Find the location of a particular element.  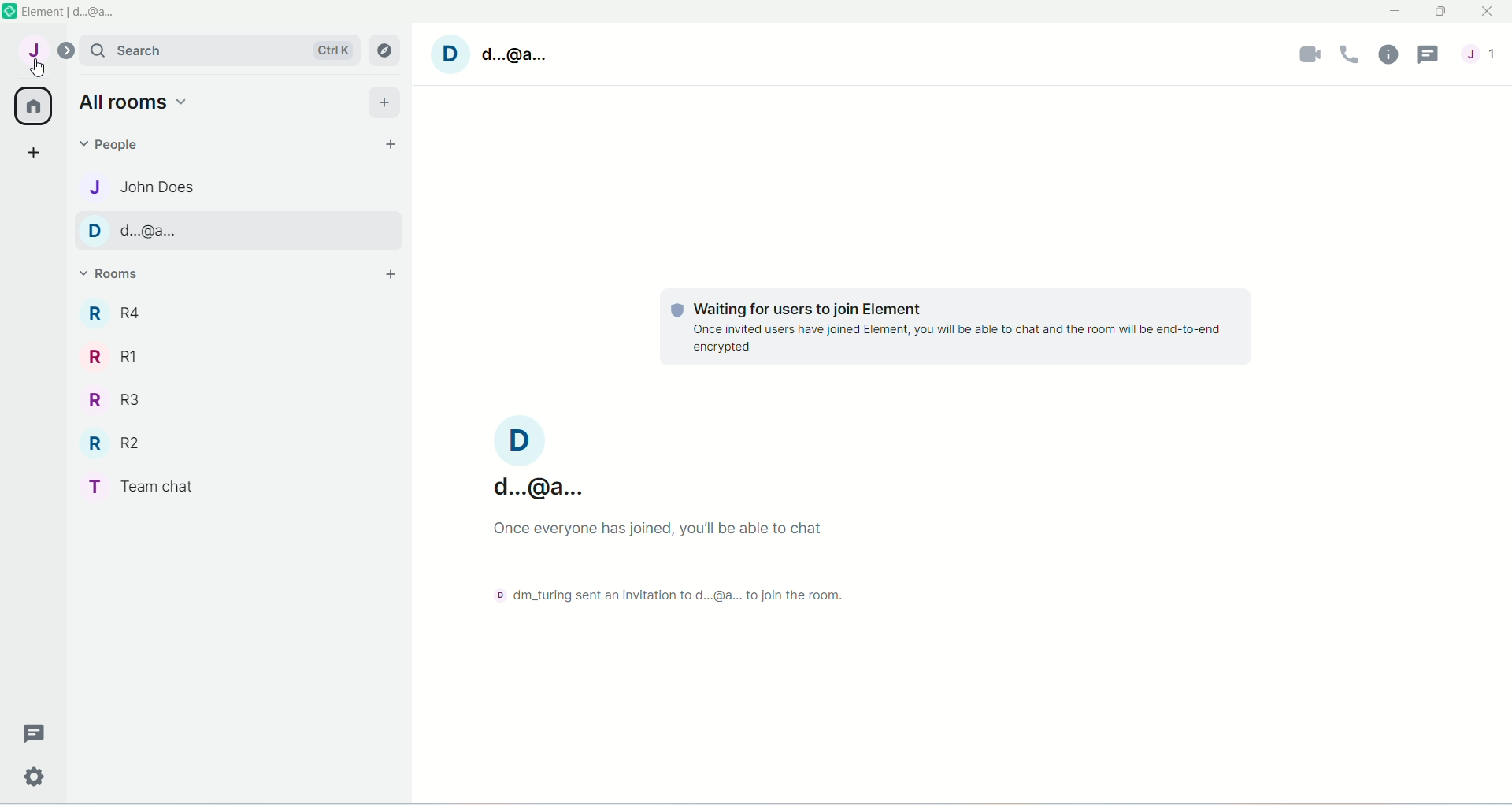

Expand is located at coordinates (68, 48).